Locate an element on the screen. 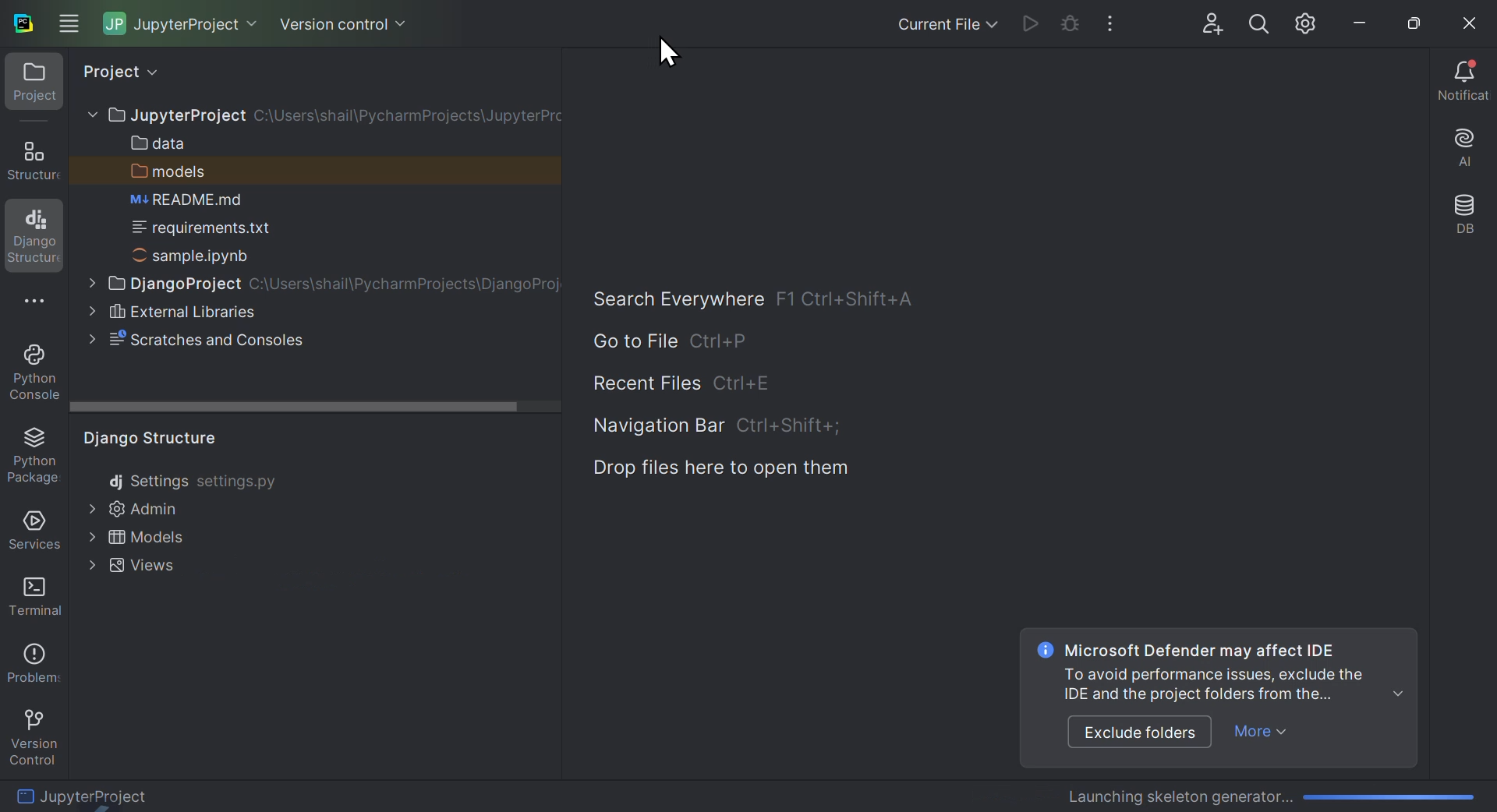  Readme.md is located at coordinates (181, 199).